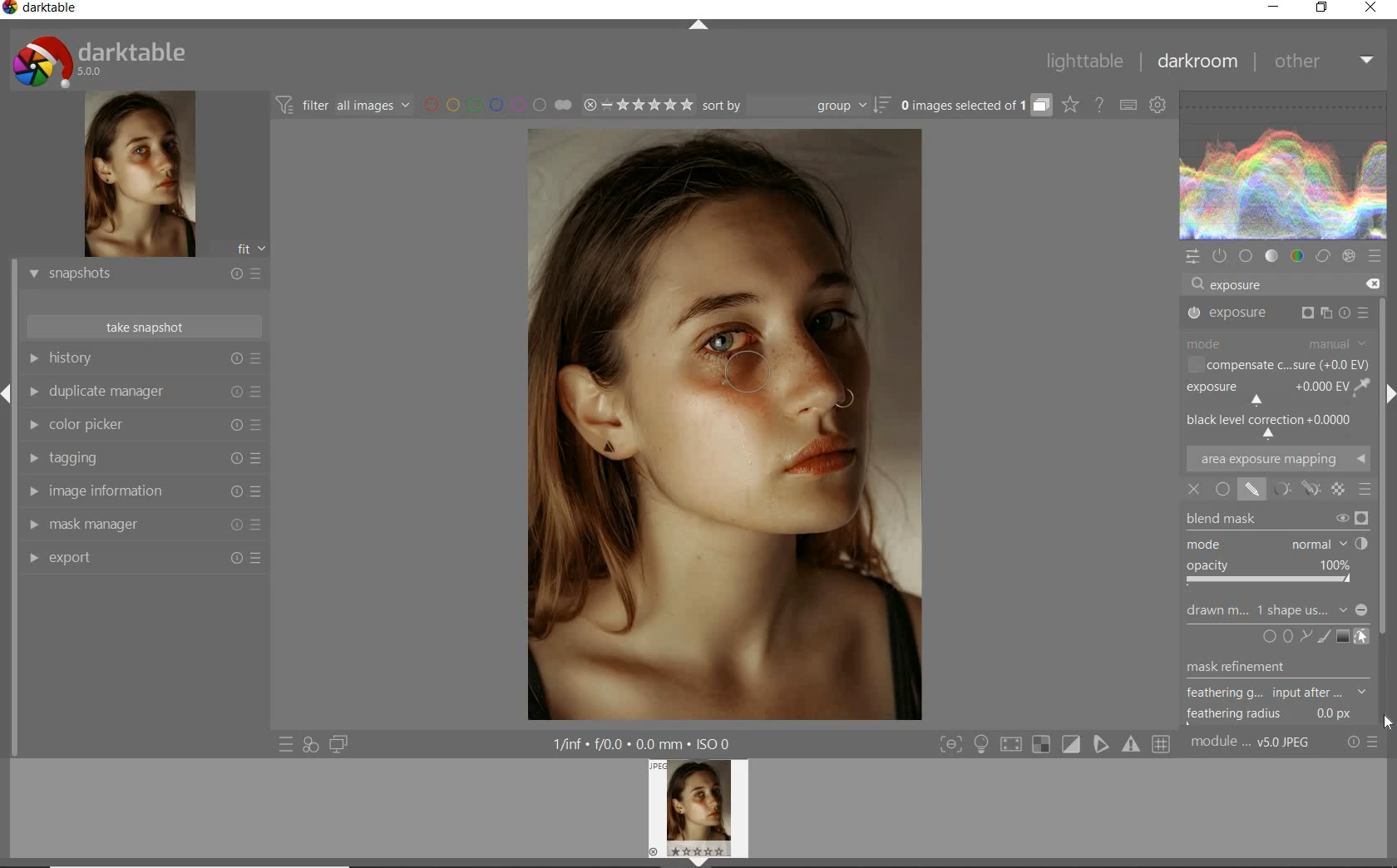  Describe the element at coordinates (763, 381) in the screenshot. I see `DRAWN MASK` at that location.